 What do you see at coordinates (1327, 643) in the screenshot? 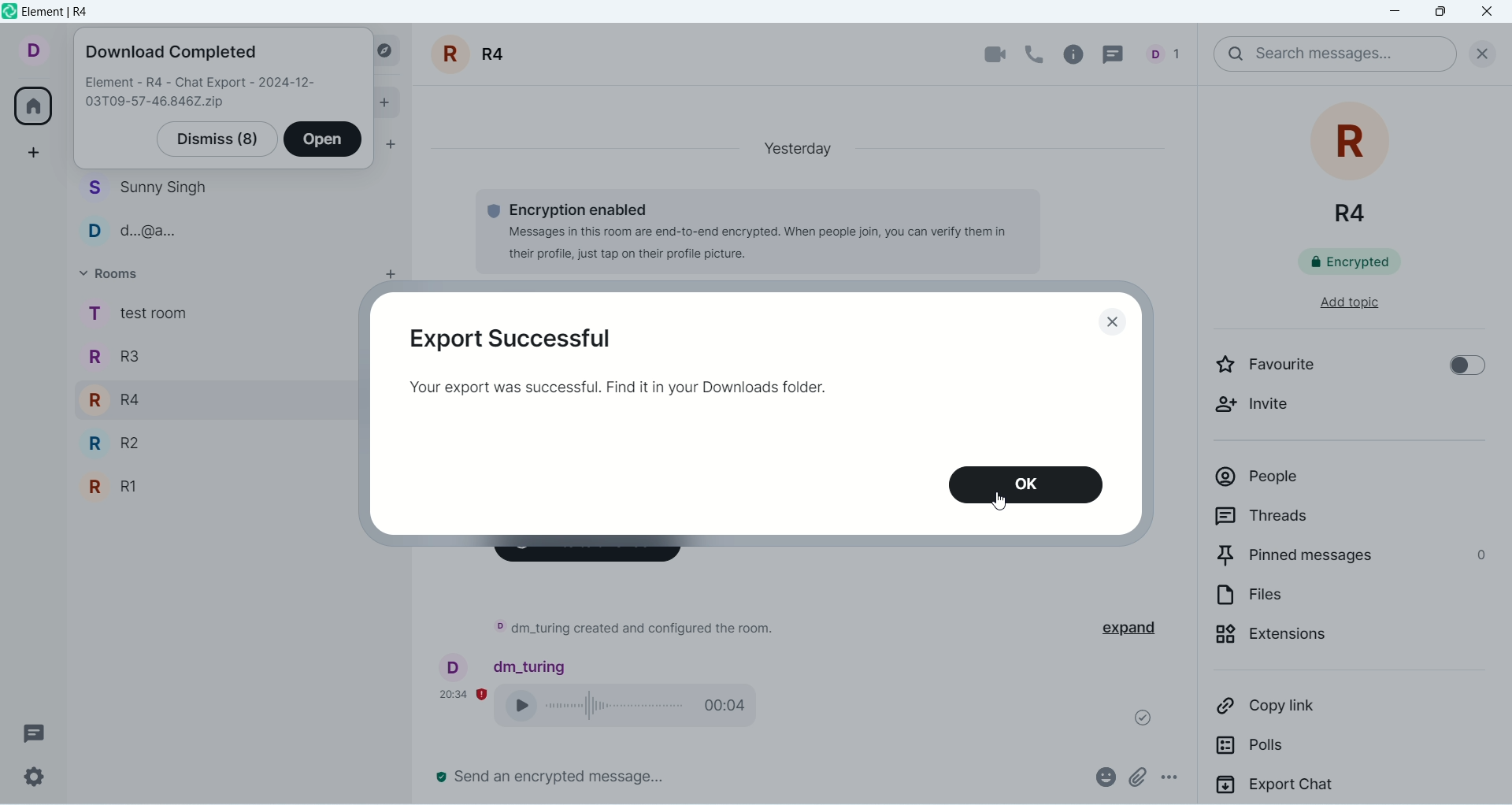
I see `extensions` at bounding box center [1327, 643].